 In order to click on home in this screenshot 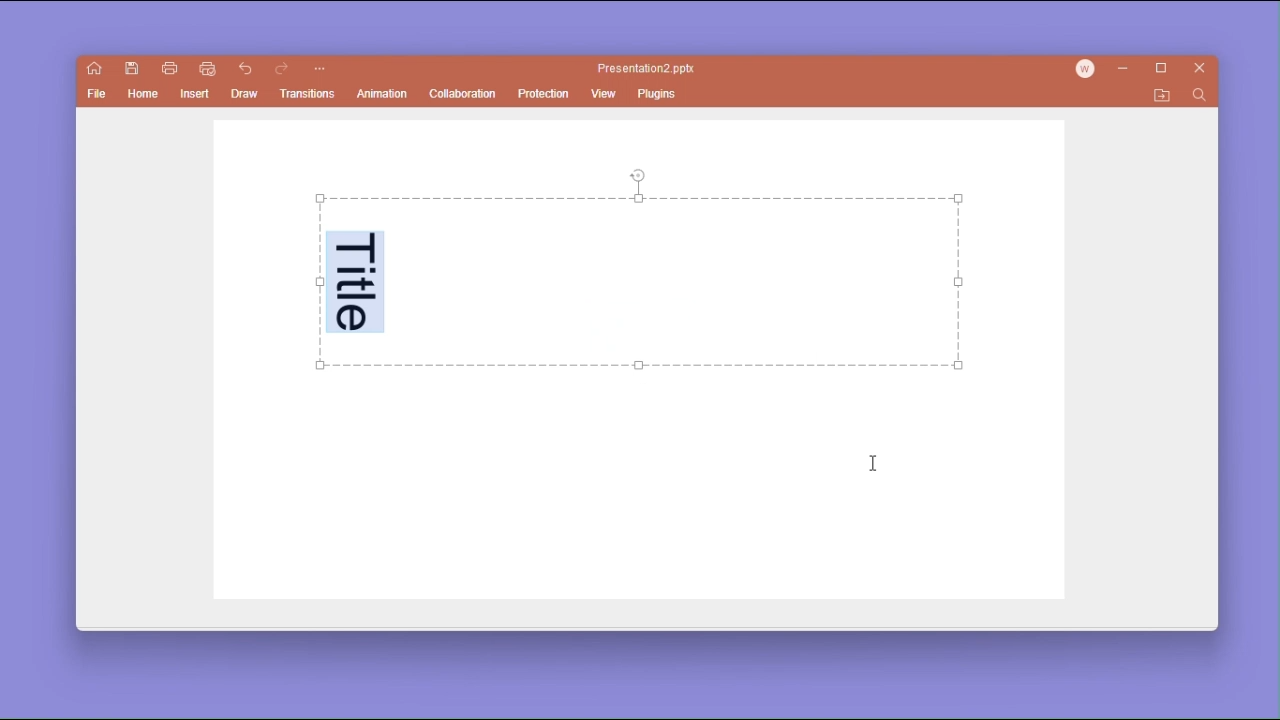, I will do `click(144, 97)`.